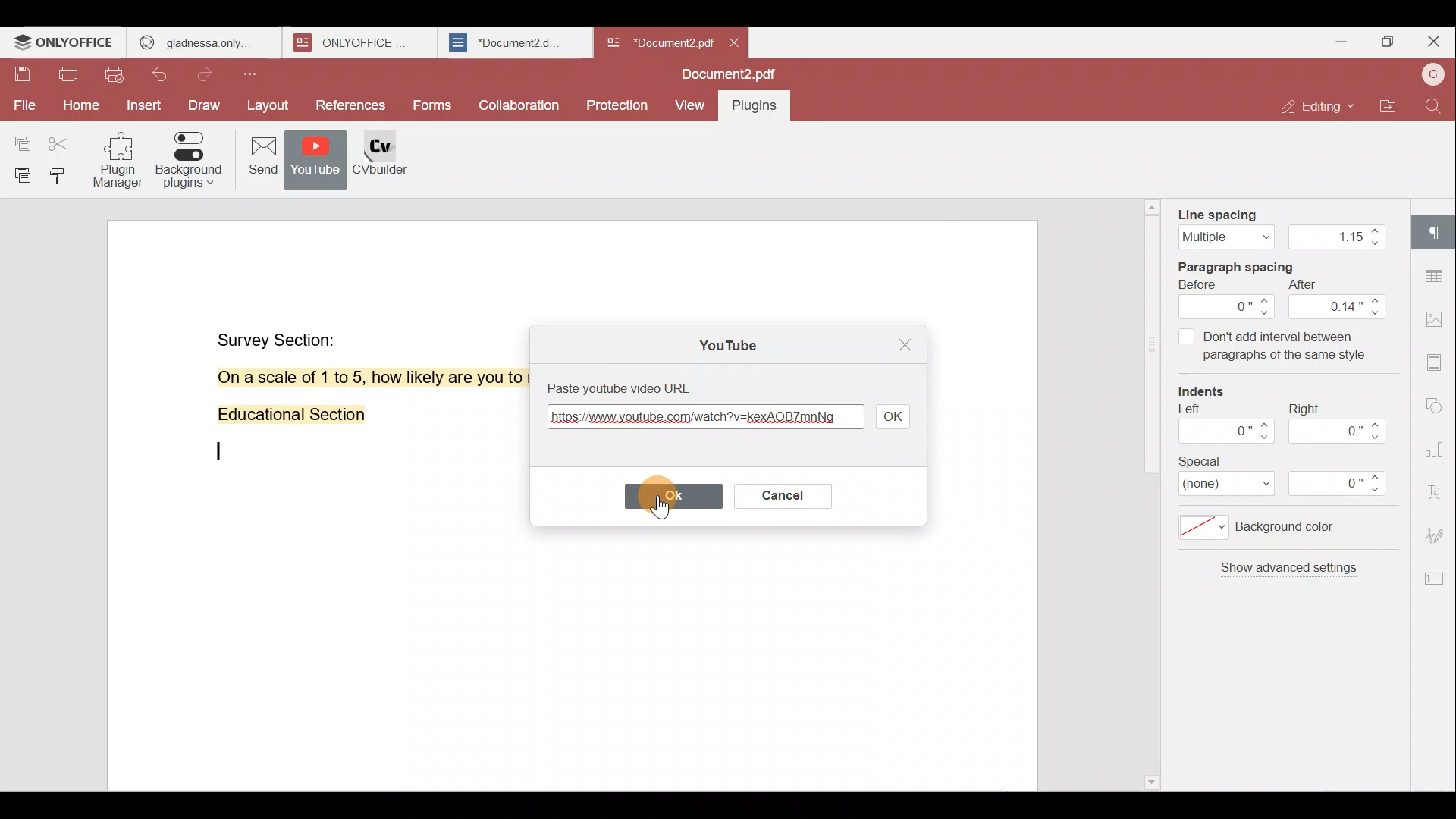  I want to click on Find, so click(1436, 106).